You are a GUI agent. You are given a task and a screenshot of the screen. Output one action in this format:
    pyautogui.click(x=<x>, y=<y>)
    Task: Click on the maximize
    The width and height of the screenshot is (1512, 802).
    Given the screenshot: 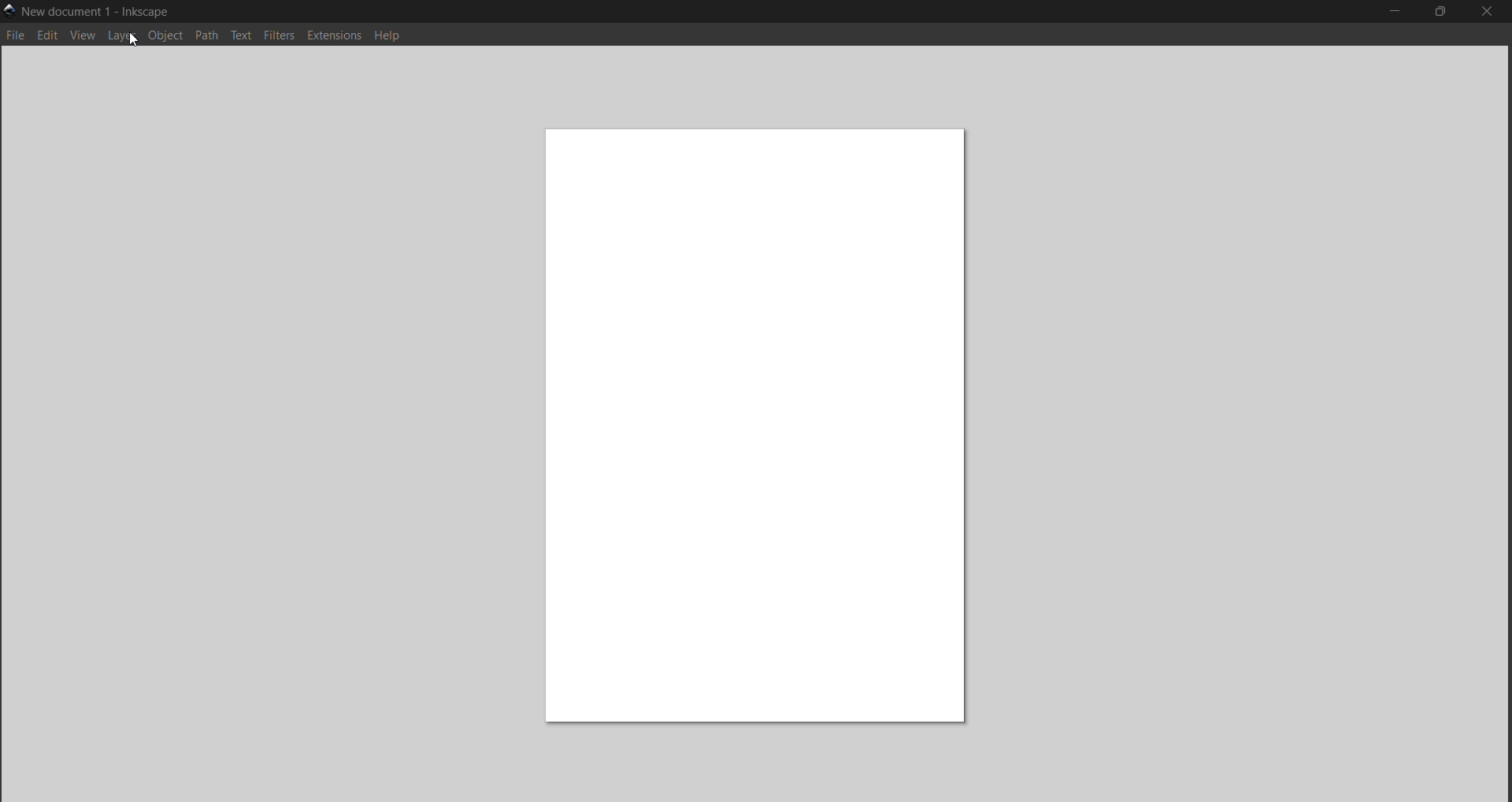 What is the action you would take?
    pyautogui.click(x=1440, y=13)
    